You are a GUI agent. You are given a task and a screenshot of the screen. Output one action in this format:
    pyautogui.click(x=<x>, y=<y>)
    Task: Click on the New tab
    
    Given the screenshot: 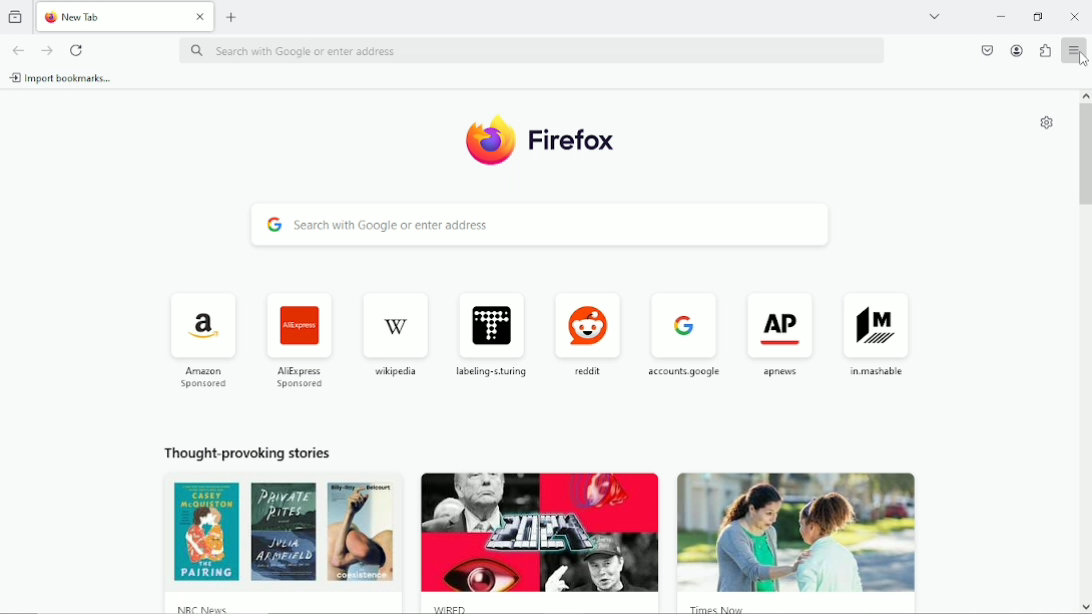 What is the action you would take?
    pyautogui.click(x=232, y=17)
    